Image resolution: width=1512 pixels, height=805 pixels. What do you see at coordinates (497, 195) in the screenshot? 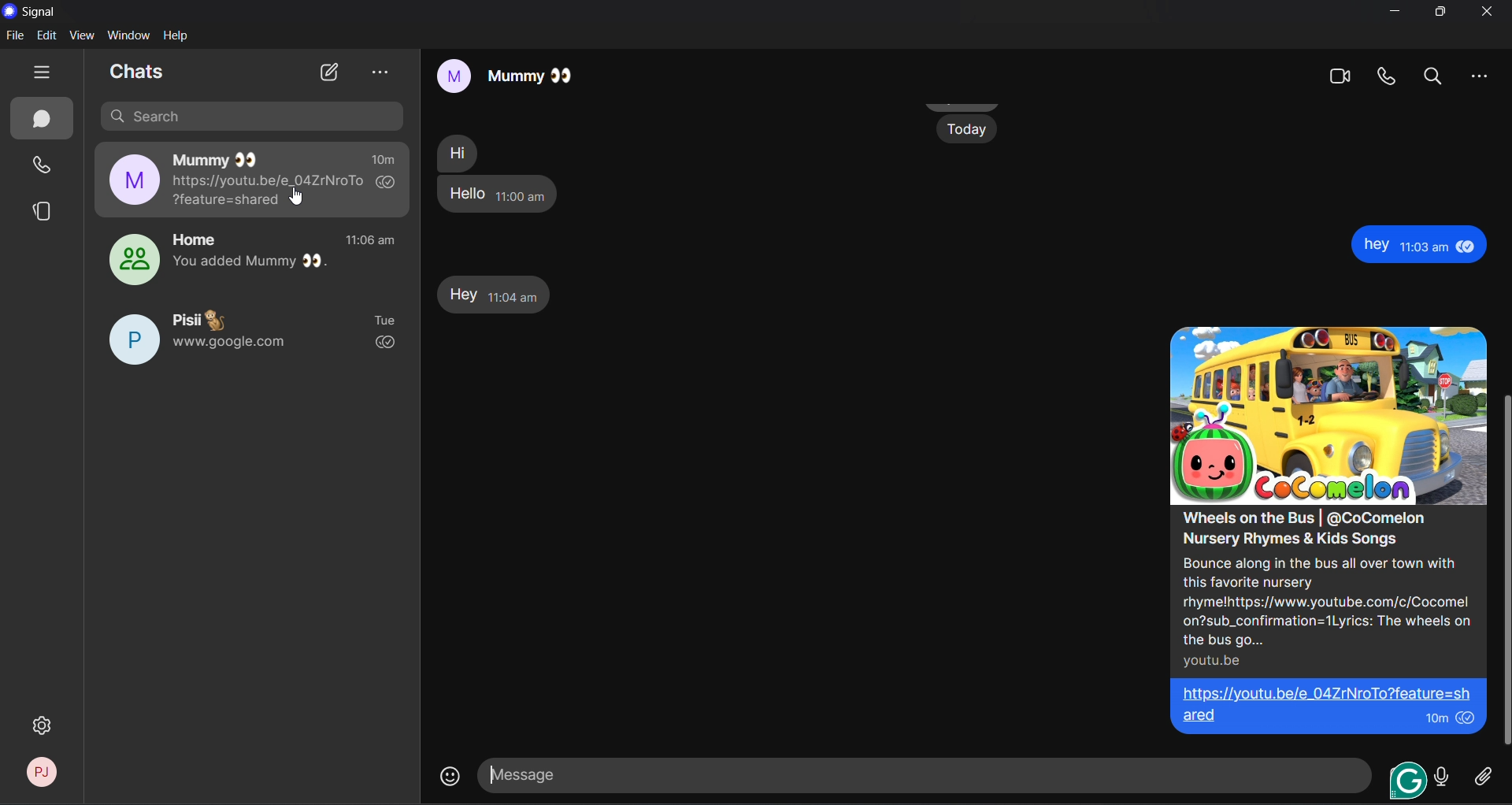
I see `hello` at bounding box center [497, 195].